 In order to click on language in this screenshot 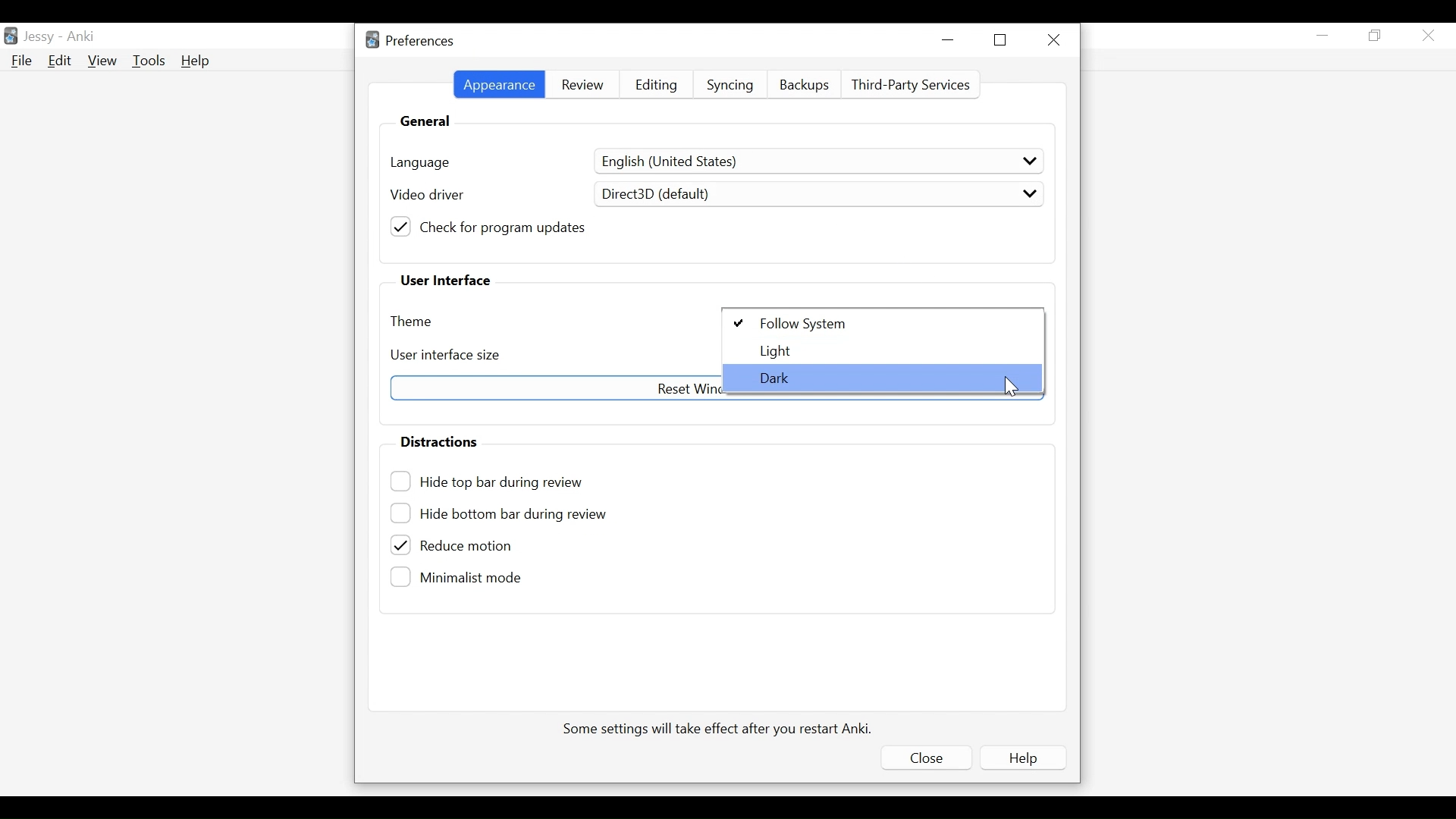, I will do `click(421, 162)`.